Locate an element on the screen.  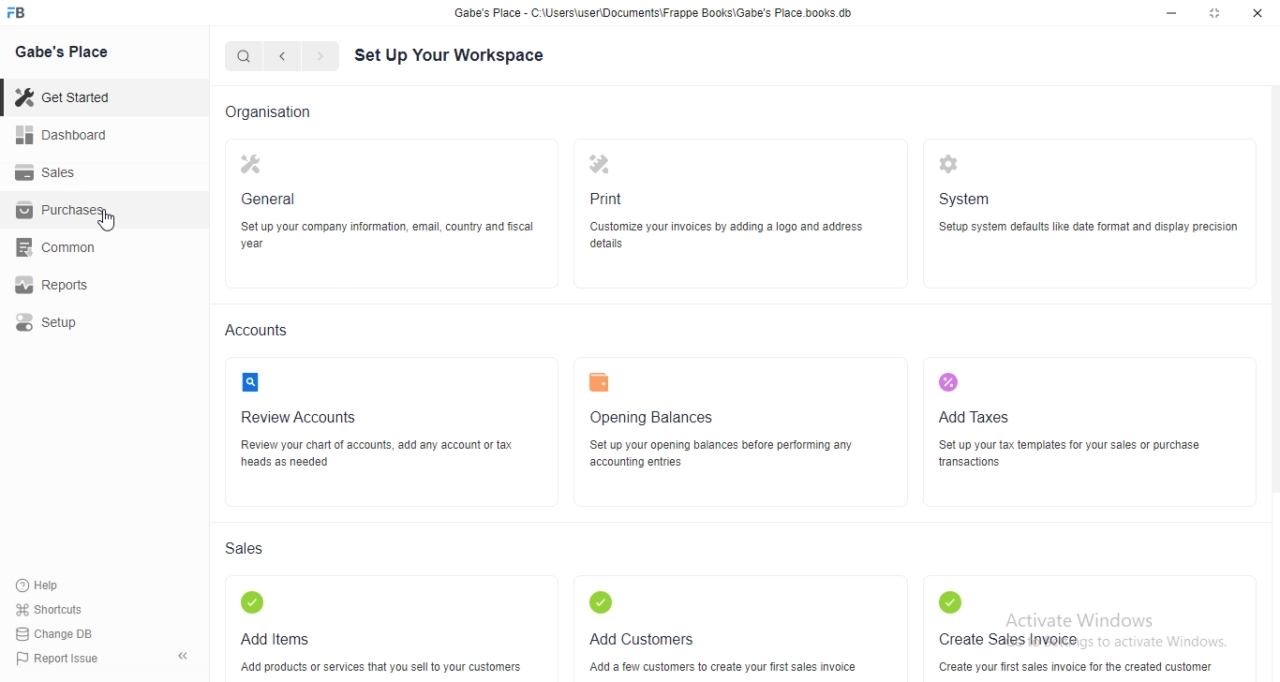
Report Issue is located at coordinates (58, 658).